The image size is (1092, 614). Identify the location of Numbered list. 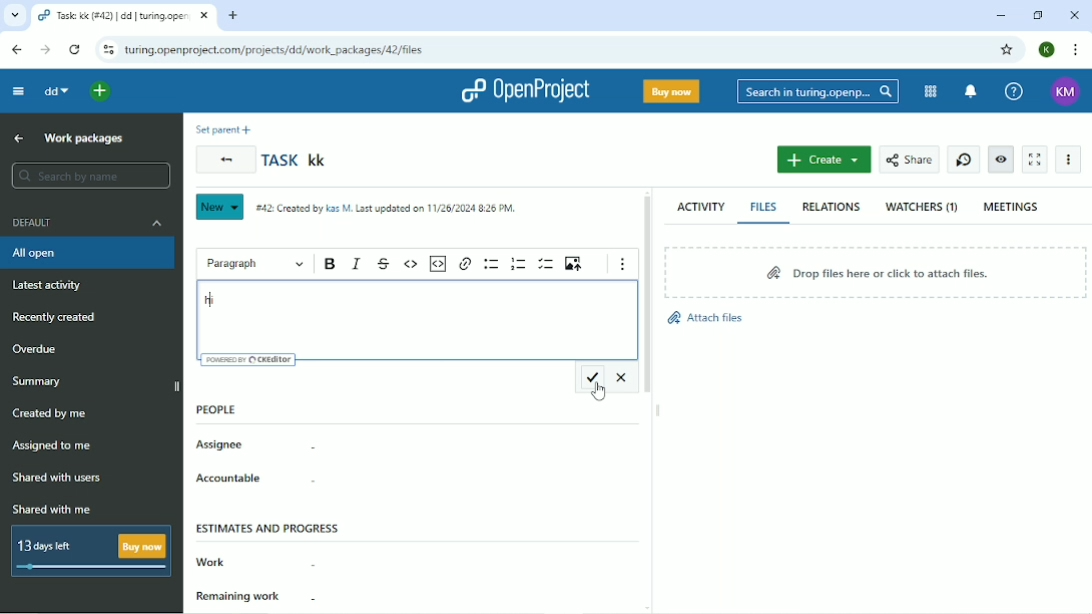
(519, 264).